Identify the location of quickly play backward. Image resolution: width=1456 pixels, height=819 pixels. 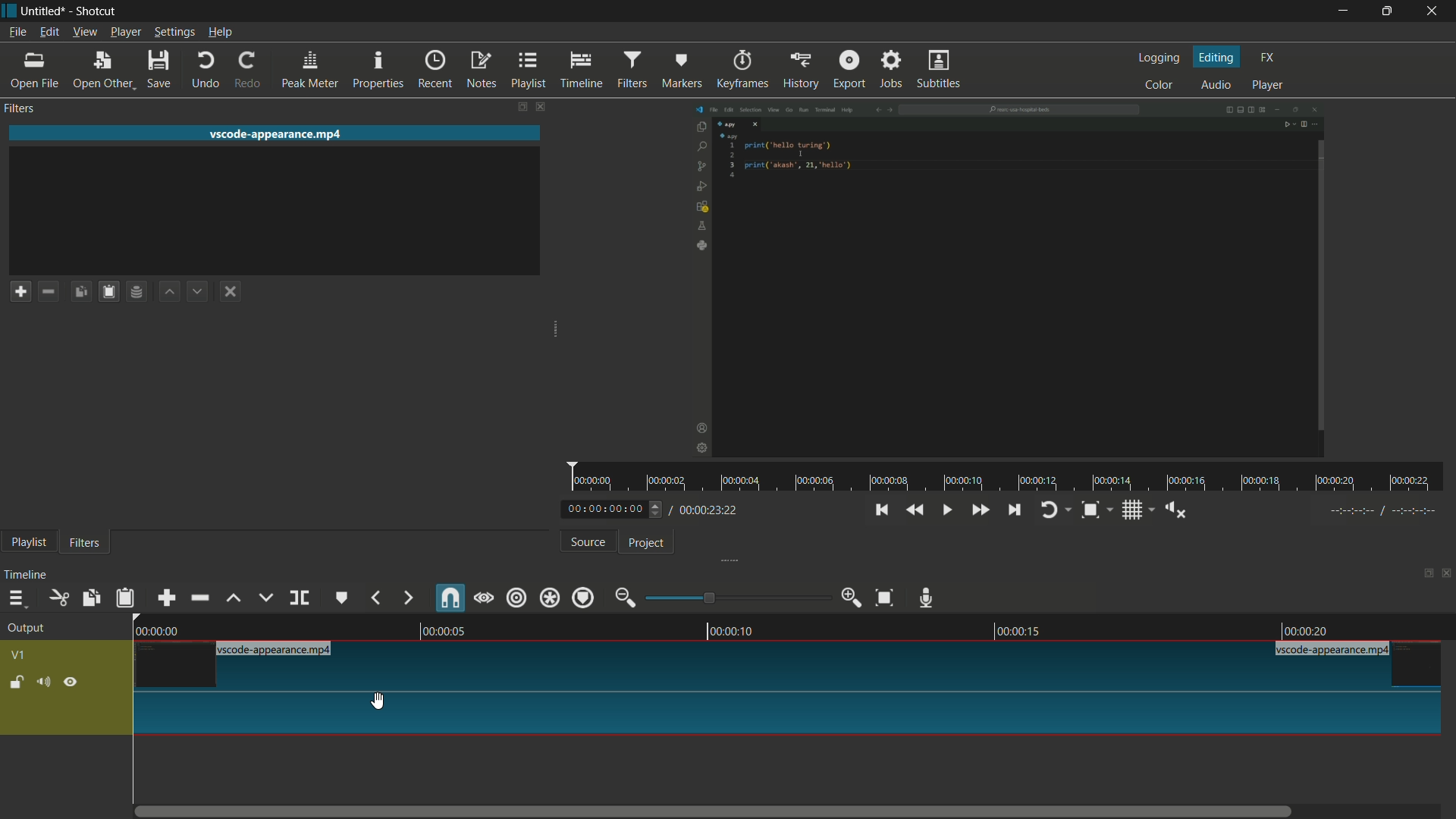
(916, 510).